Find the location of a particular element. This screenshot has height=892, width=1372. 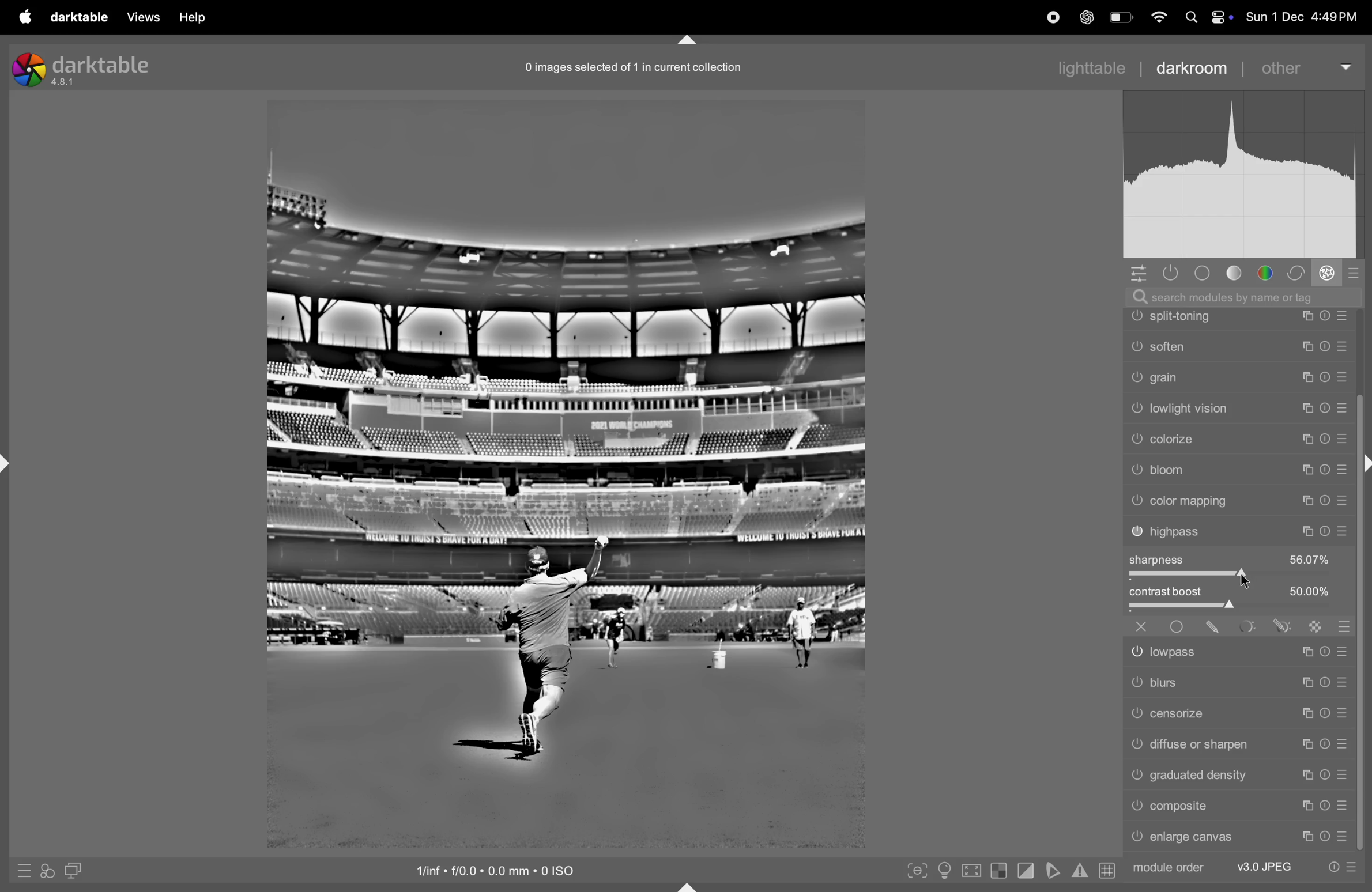

cencorize is located at coordinates (1237, 713).